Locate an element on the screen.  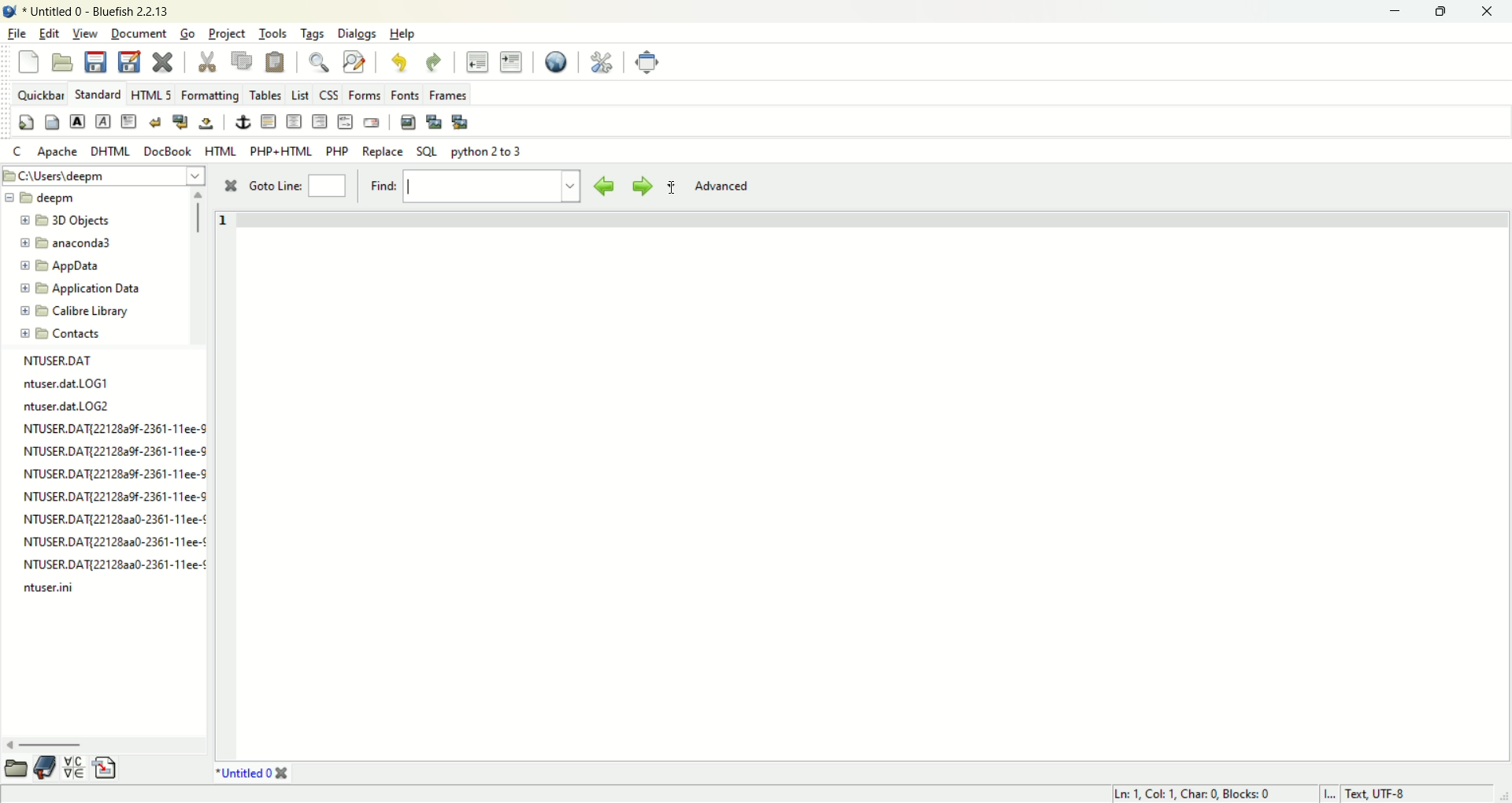
close is located at coordinates (1486, 13).